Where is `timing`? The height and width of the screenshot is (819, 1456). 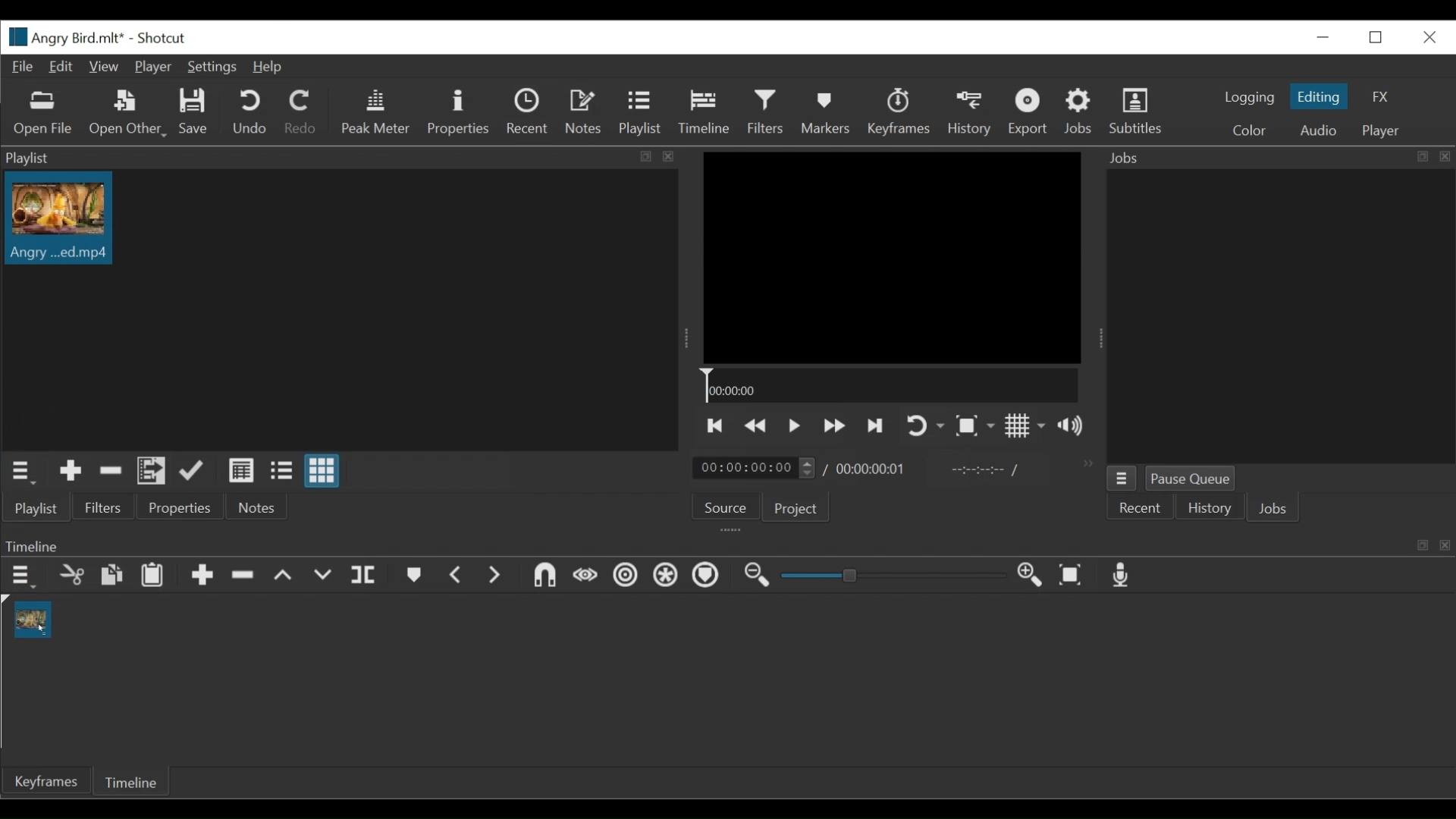 timing is located at coordinates (867, 469).